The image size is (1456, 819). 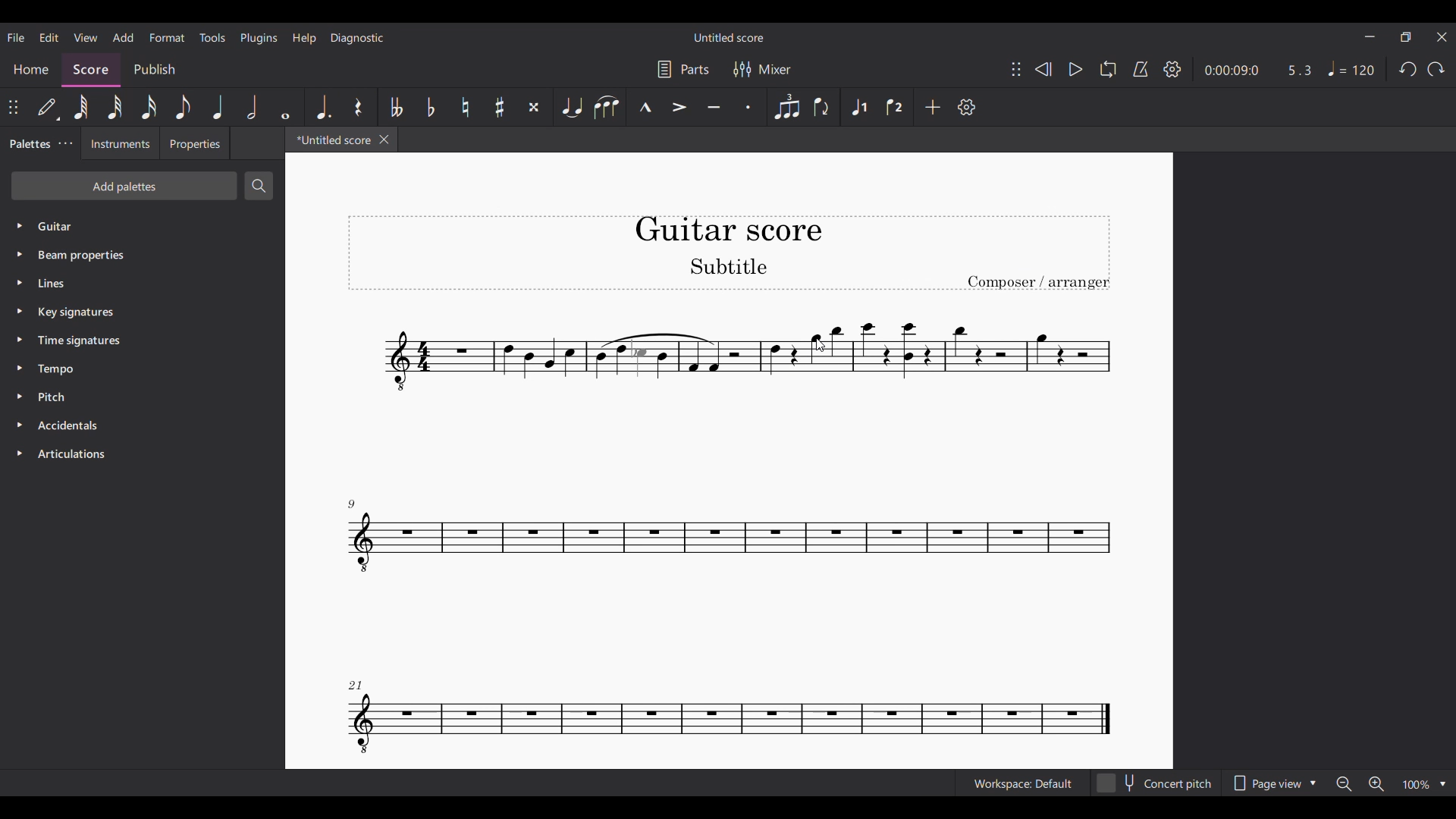 I want to click on Accent, so click(x=679, y=107).